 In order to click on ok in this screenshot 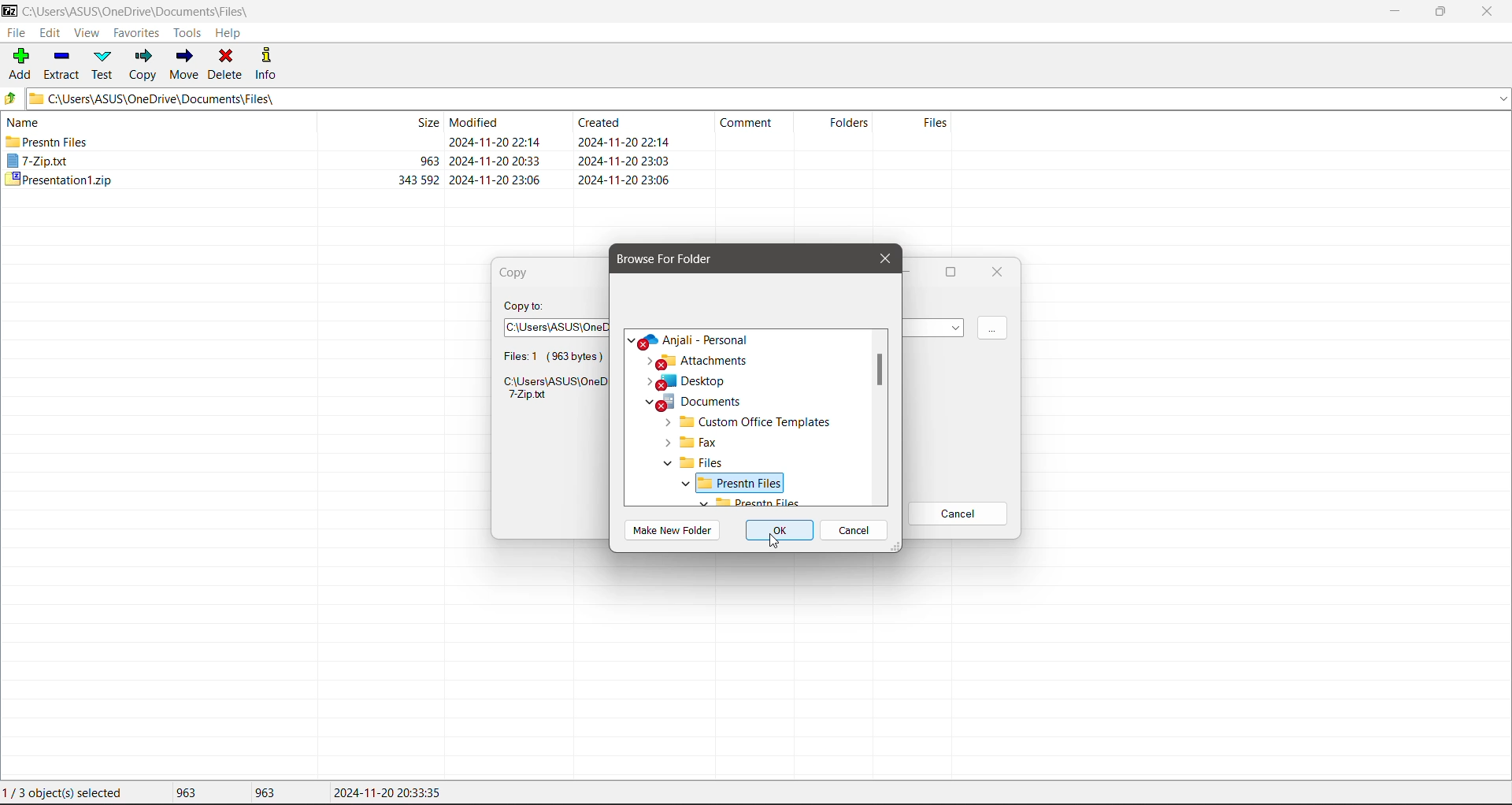, I will do `click(775, 529)`.